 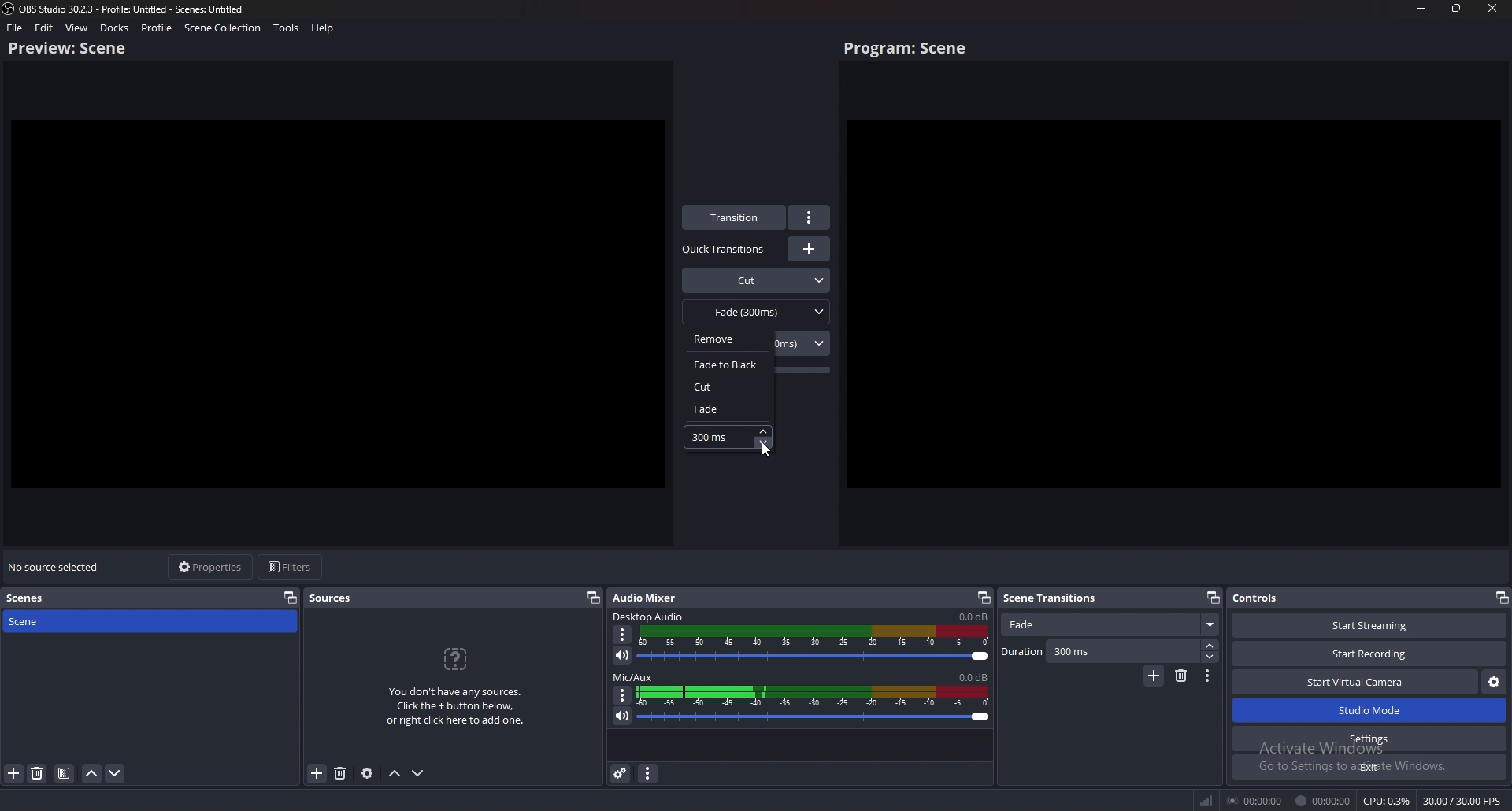 I want to click on audio mixer menu, so click(x=649, y=774).